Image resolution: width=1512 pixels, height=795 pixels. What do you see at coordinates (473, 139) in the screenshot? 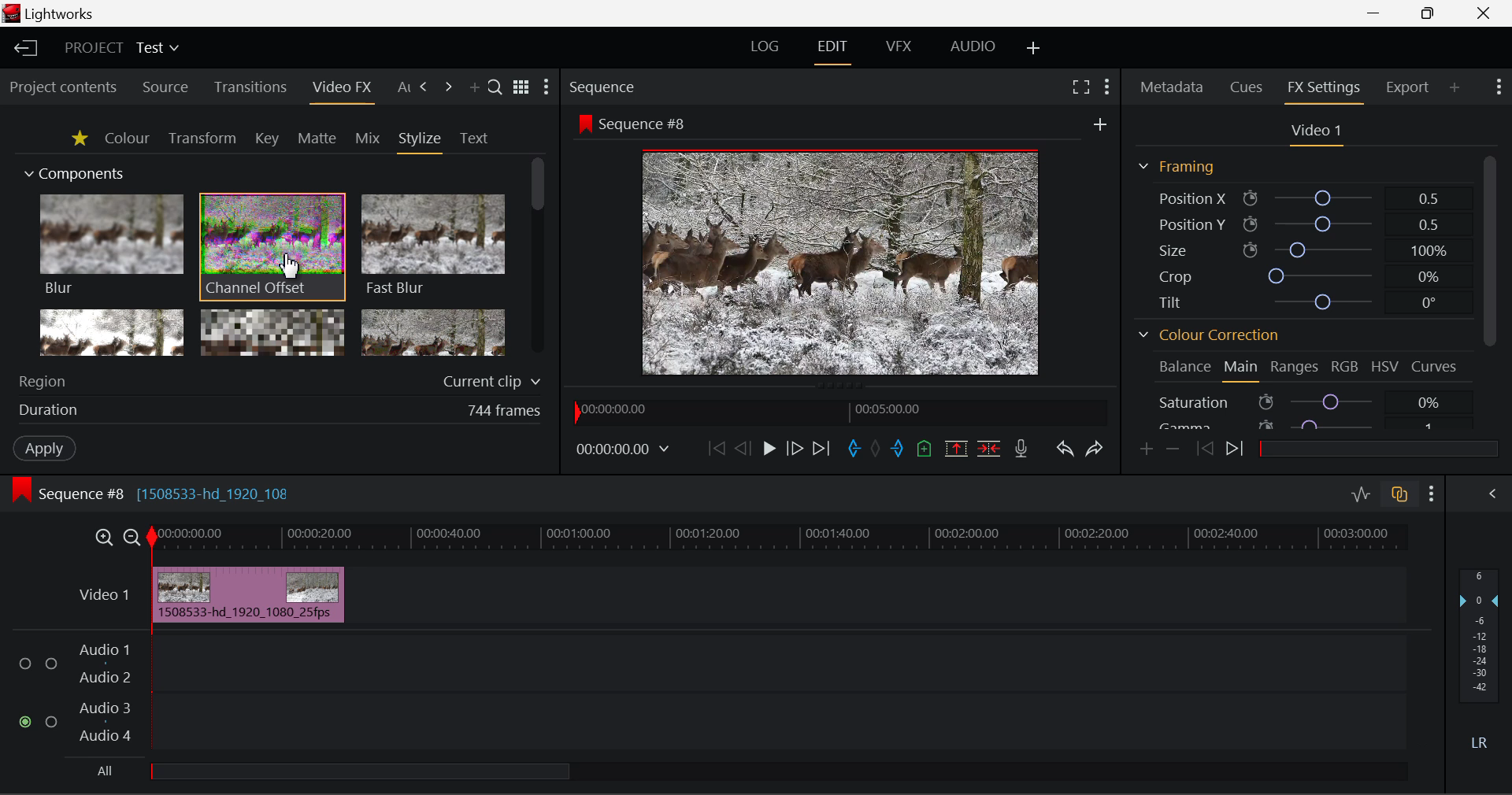
I see `Text` at bounding box center [473, 139].